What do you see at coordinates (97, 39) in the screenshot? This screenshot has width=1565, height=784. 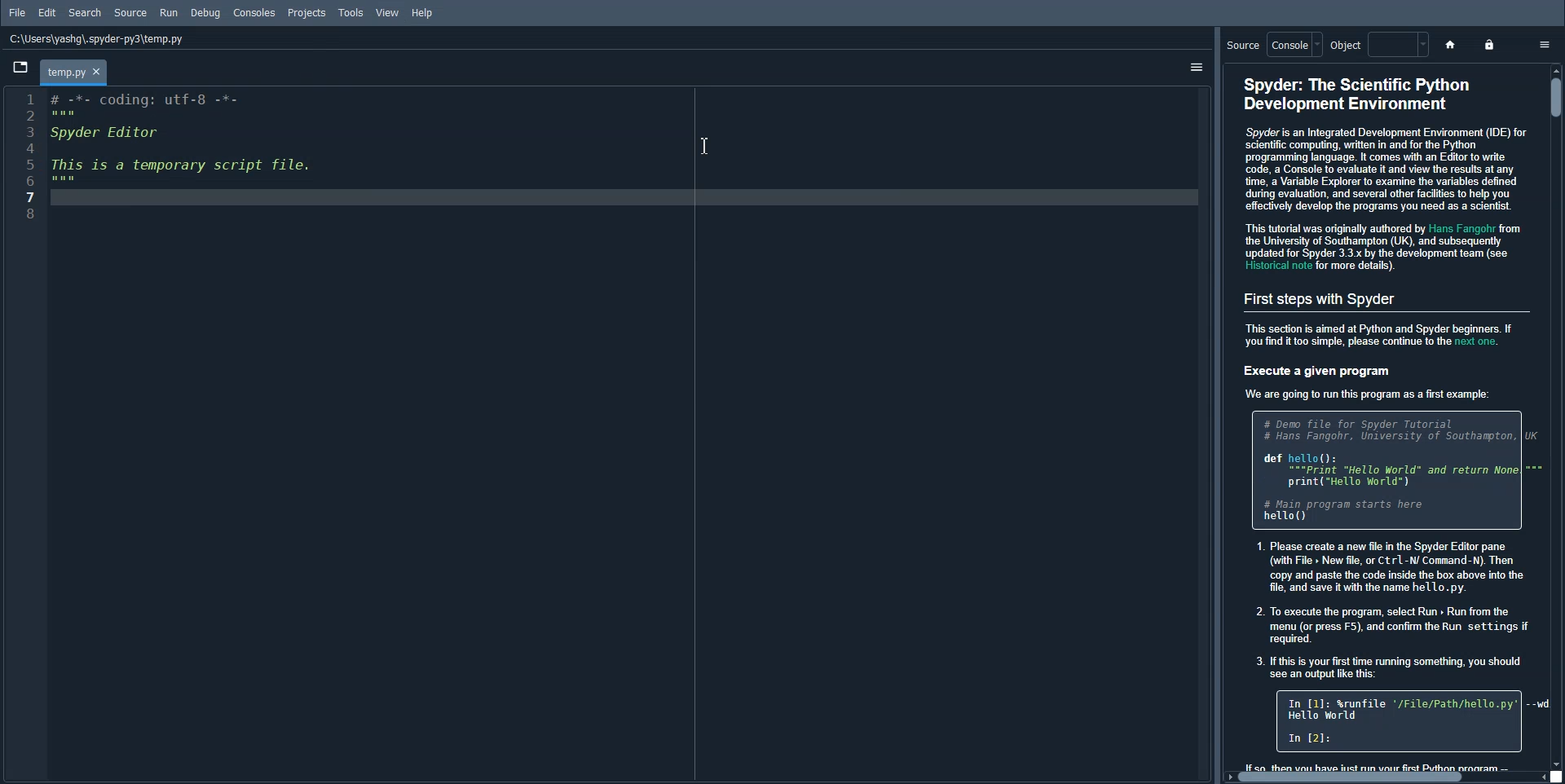 I see `File path ` at bounding box center [97, 39].